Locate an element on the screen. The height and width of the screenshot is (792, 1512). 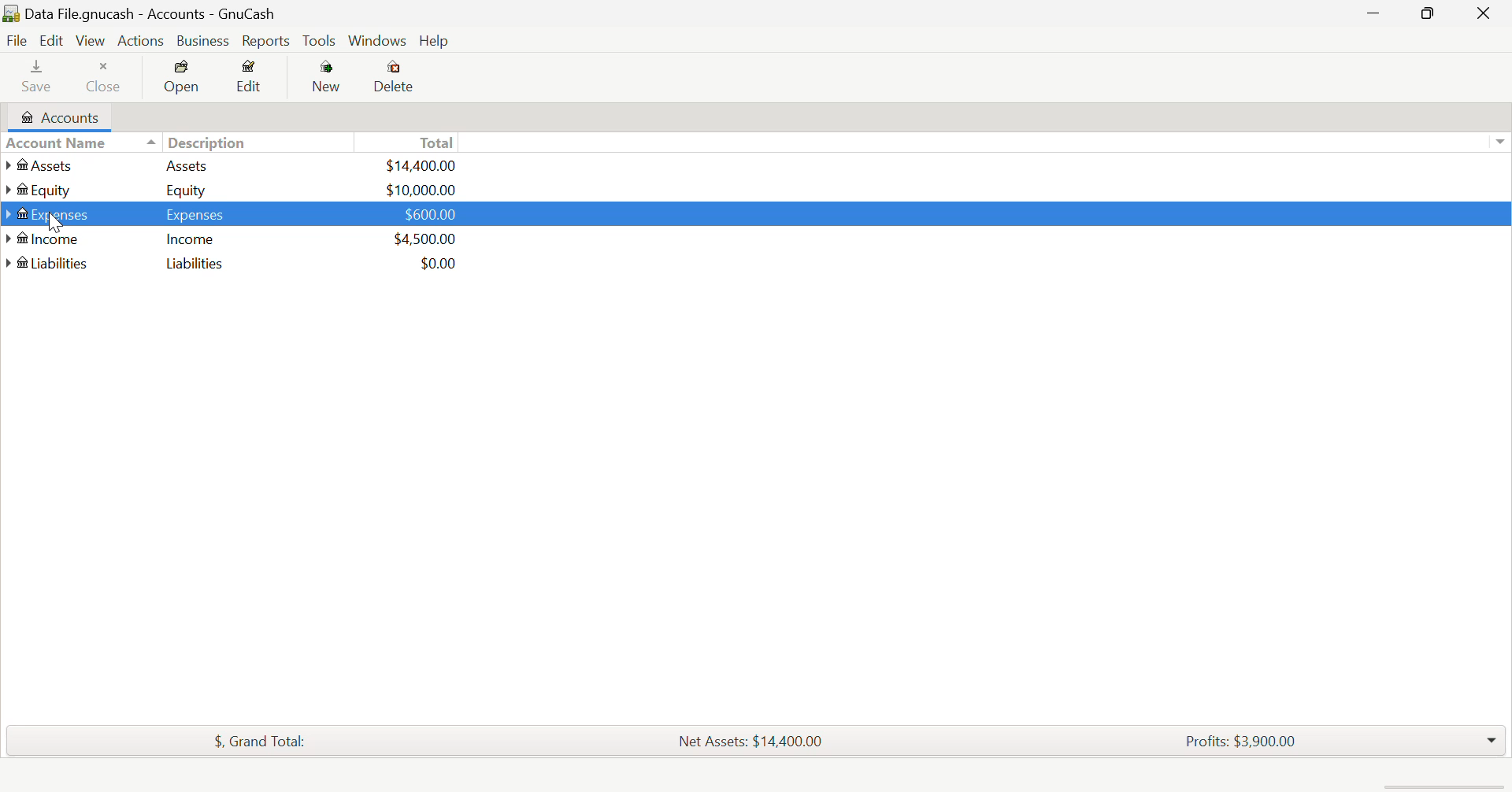
Income Account is located at coordinates (46, 240).